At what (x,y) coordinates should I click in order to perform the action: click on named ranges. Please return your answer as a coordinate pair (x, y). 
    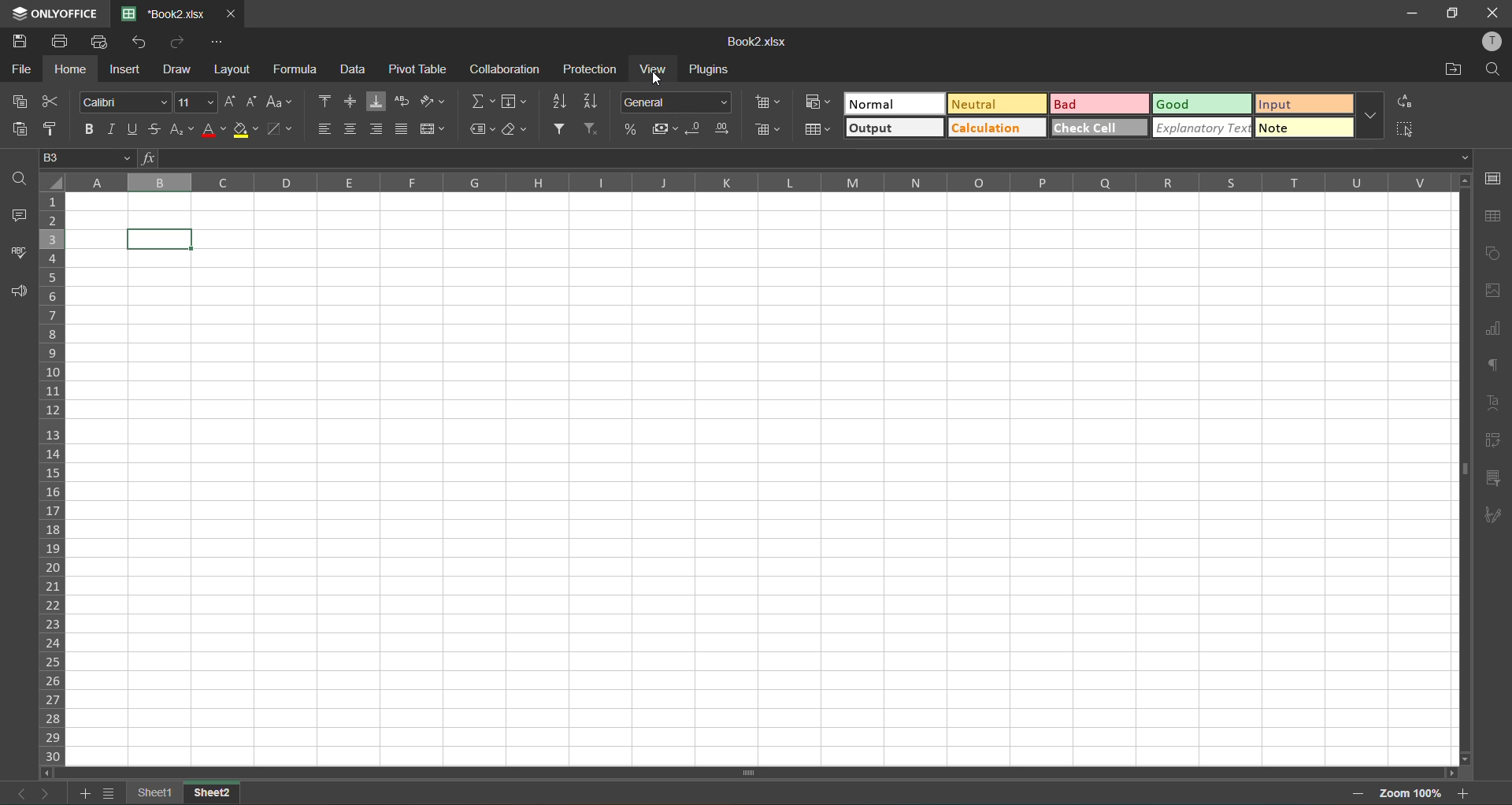
    Looking at the image, I should click on (487, 131).